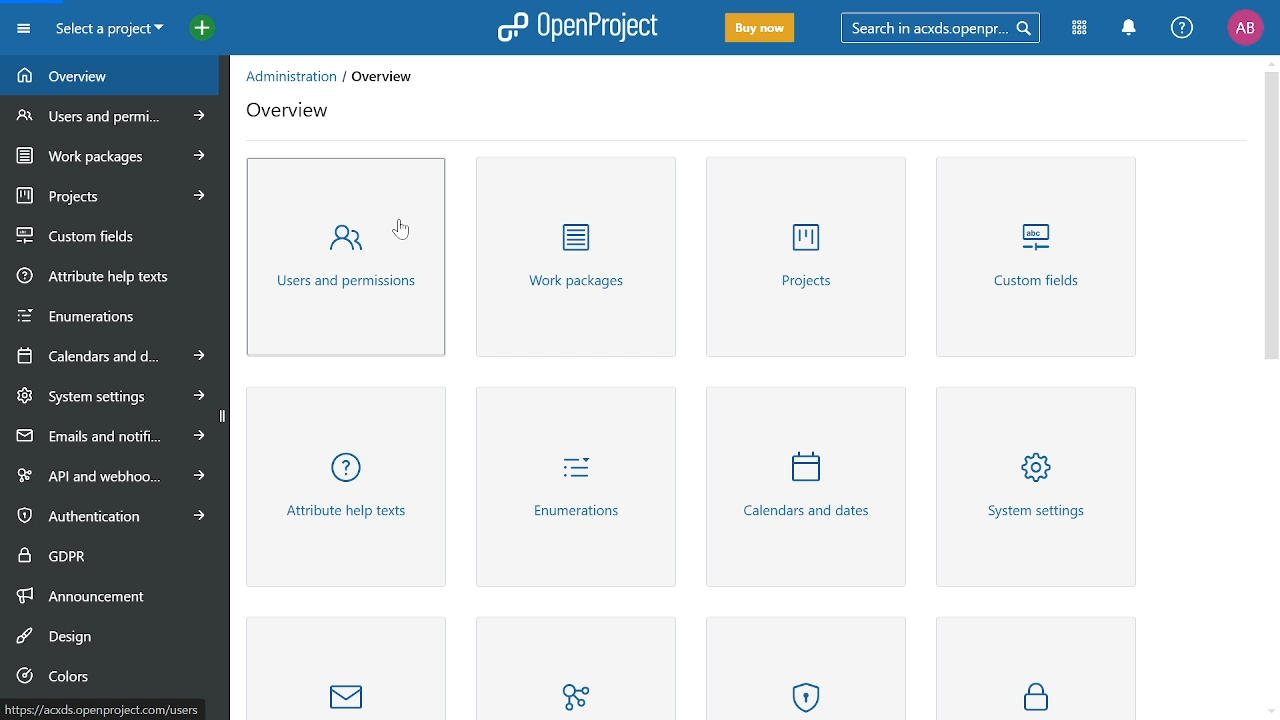 The image size is (1280, 720). What do you see at coordinates (291, 76) in the screenshot?
I see `administration` at bounding box center [291, 76].